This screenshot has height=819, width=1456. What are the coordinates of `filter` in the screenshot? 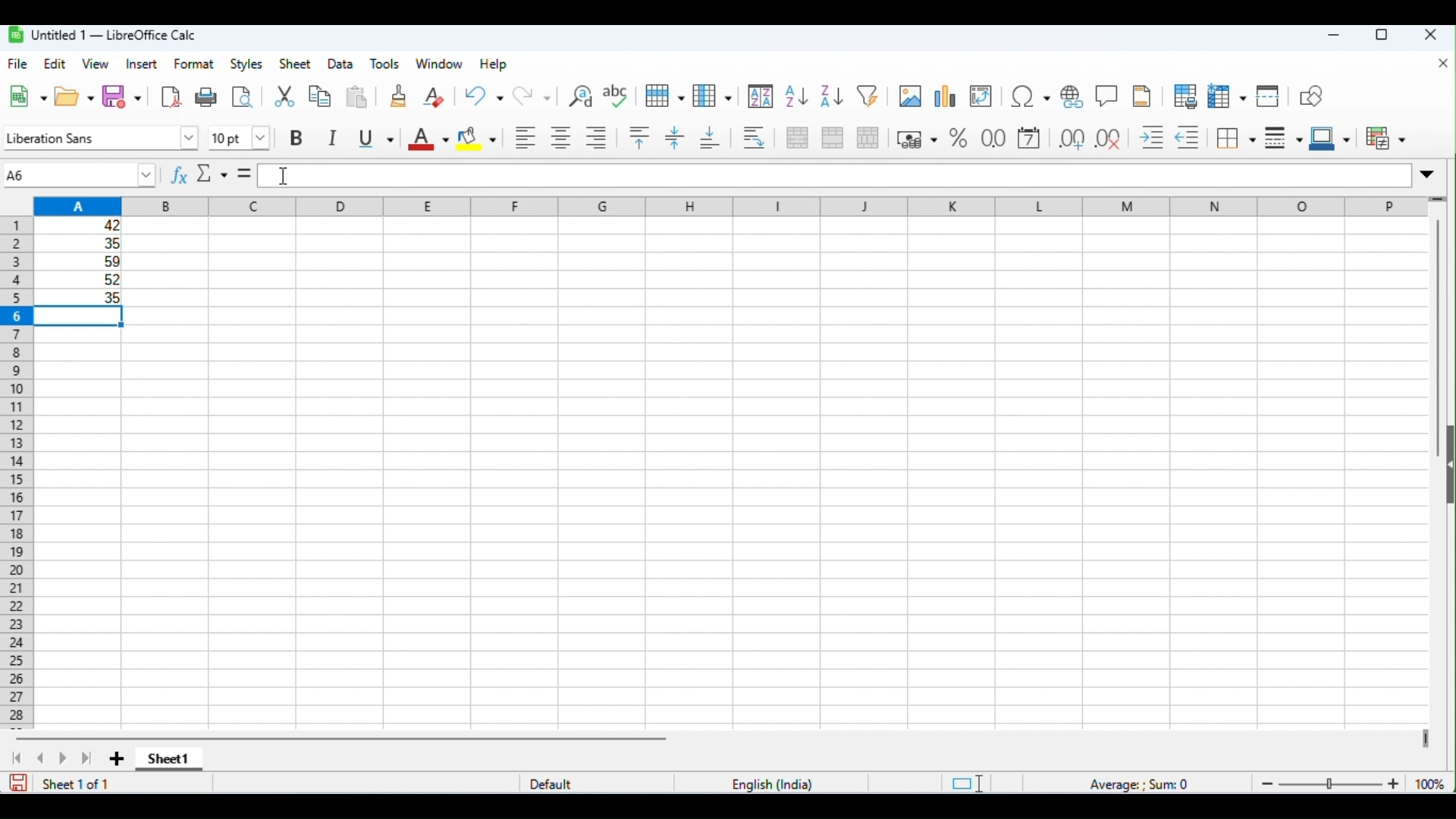 It's located at (868, 95).